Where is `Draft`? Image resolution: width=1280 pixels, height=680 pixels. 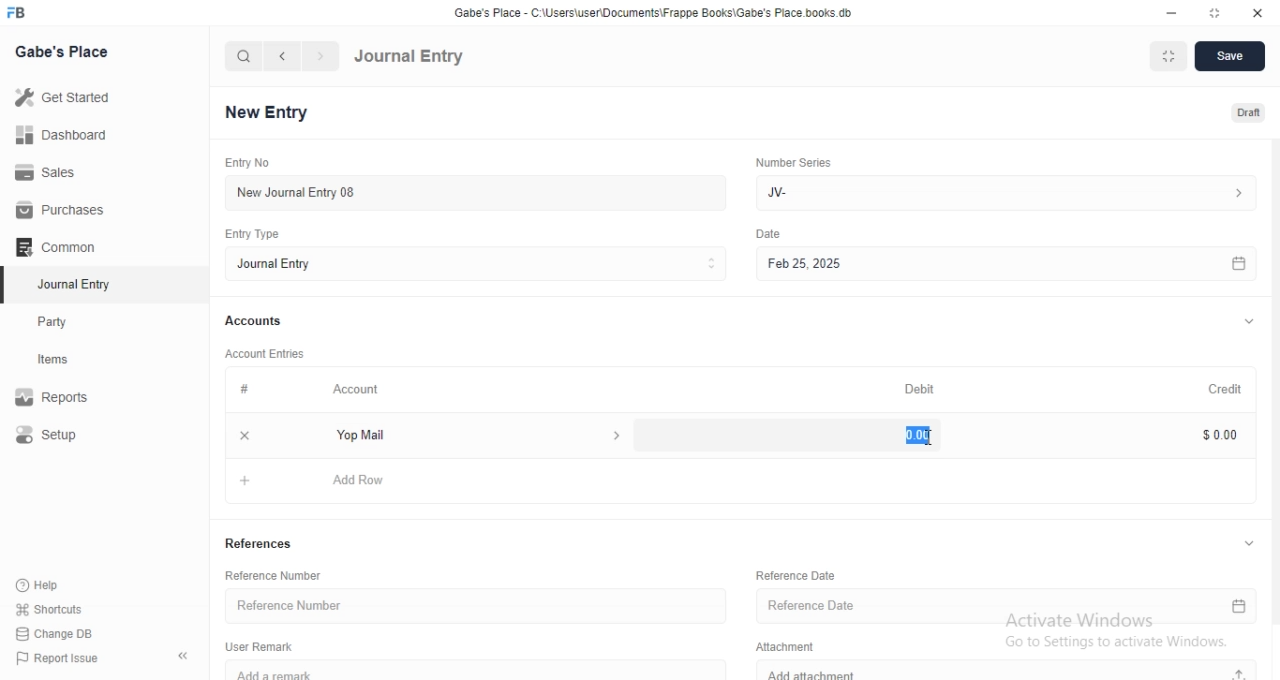
Draft is located at coordinates (1238, 111).